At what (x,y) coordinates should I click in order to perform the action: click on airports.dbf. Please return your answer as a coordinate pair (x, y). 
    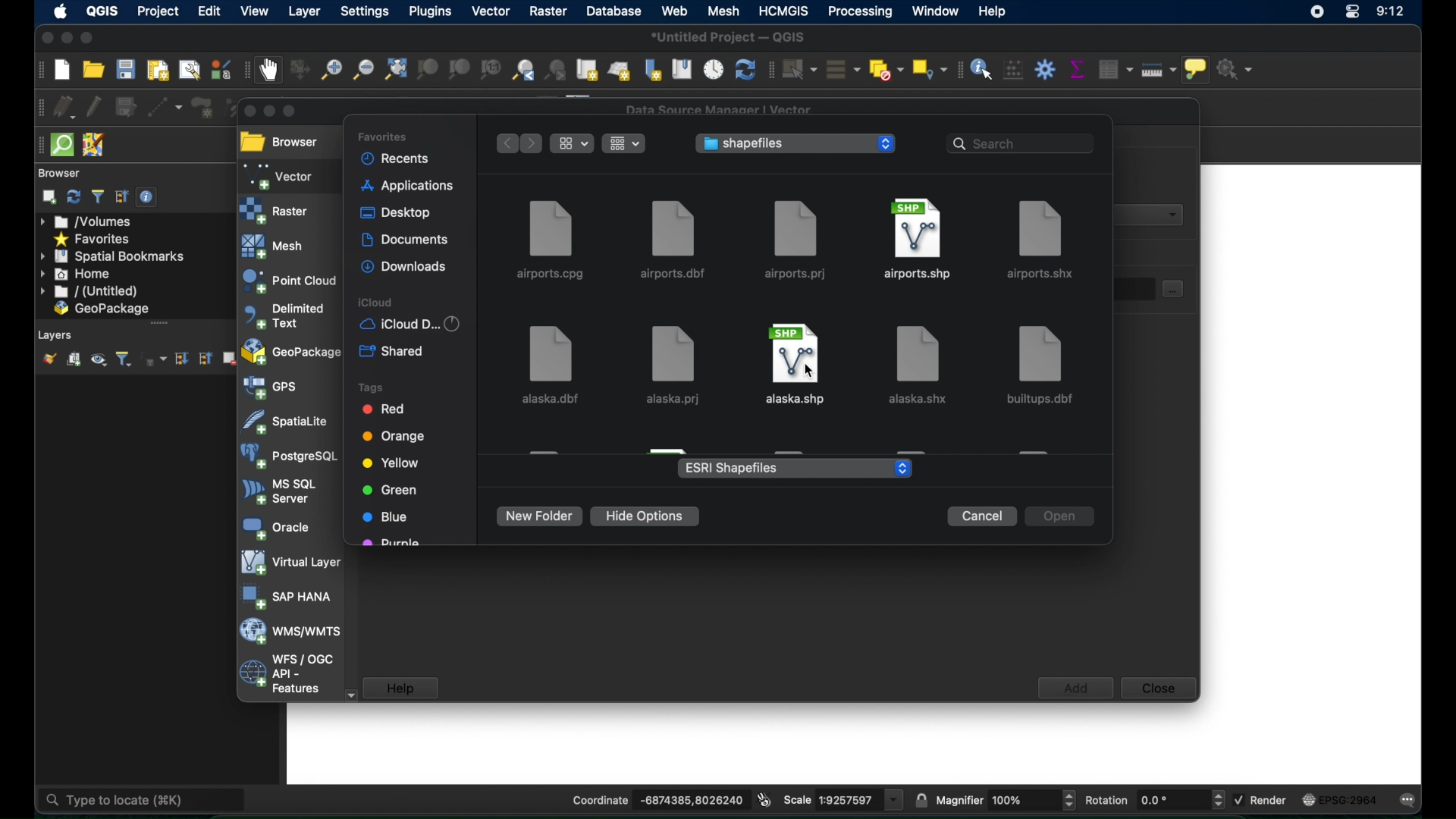
    Looking at the image, I should click on (673, 239).